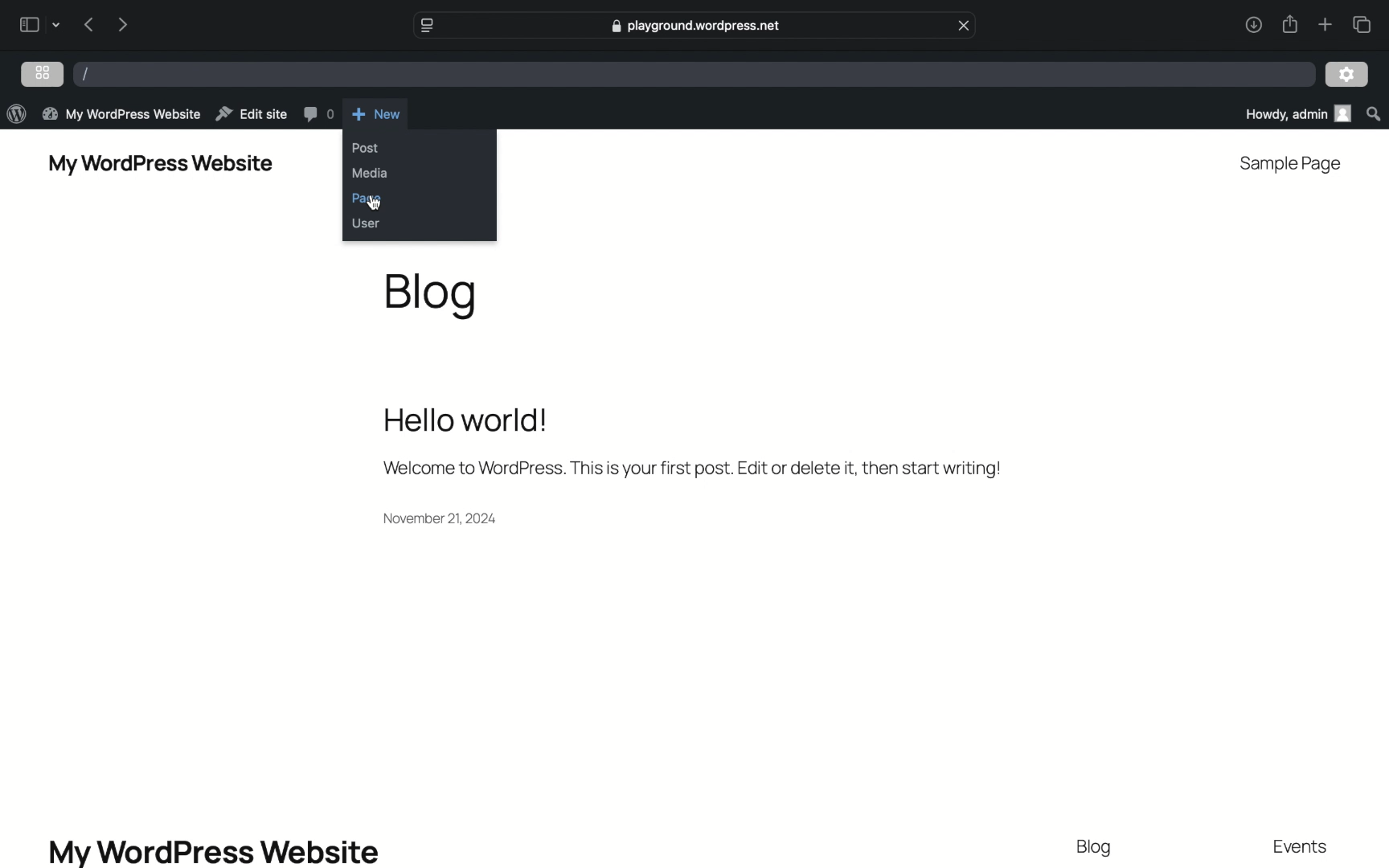 The width and height of the screenshot is (1389, 868). What do you see at coordinates (122, 24) in the screenshot?
I see `next page` at bounding box center [122, 24].